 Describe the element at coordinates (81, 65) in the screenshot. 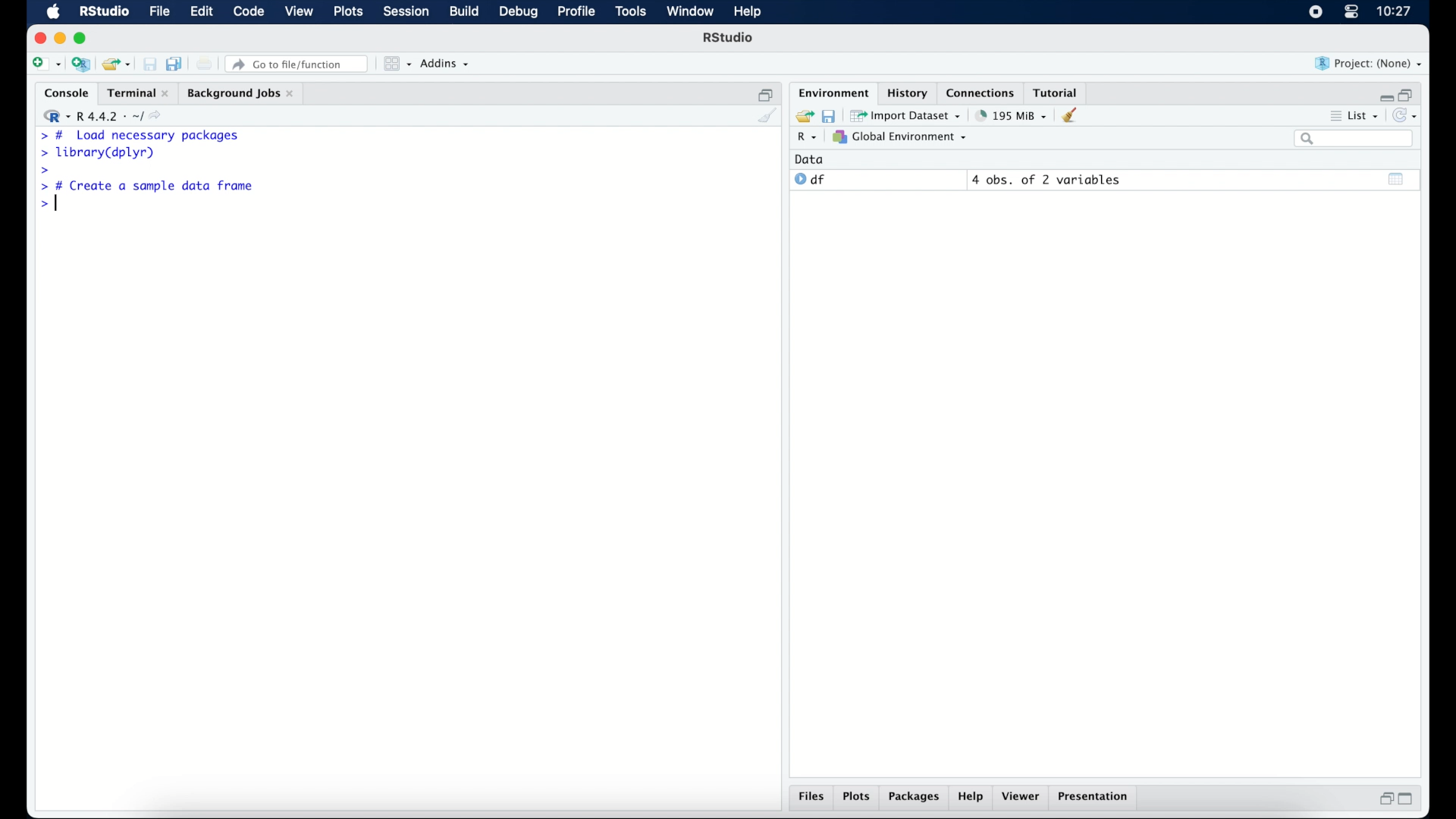

I see `create new project` at that location.